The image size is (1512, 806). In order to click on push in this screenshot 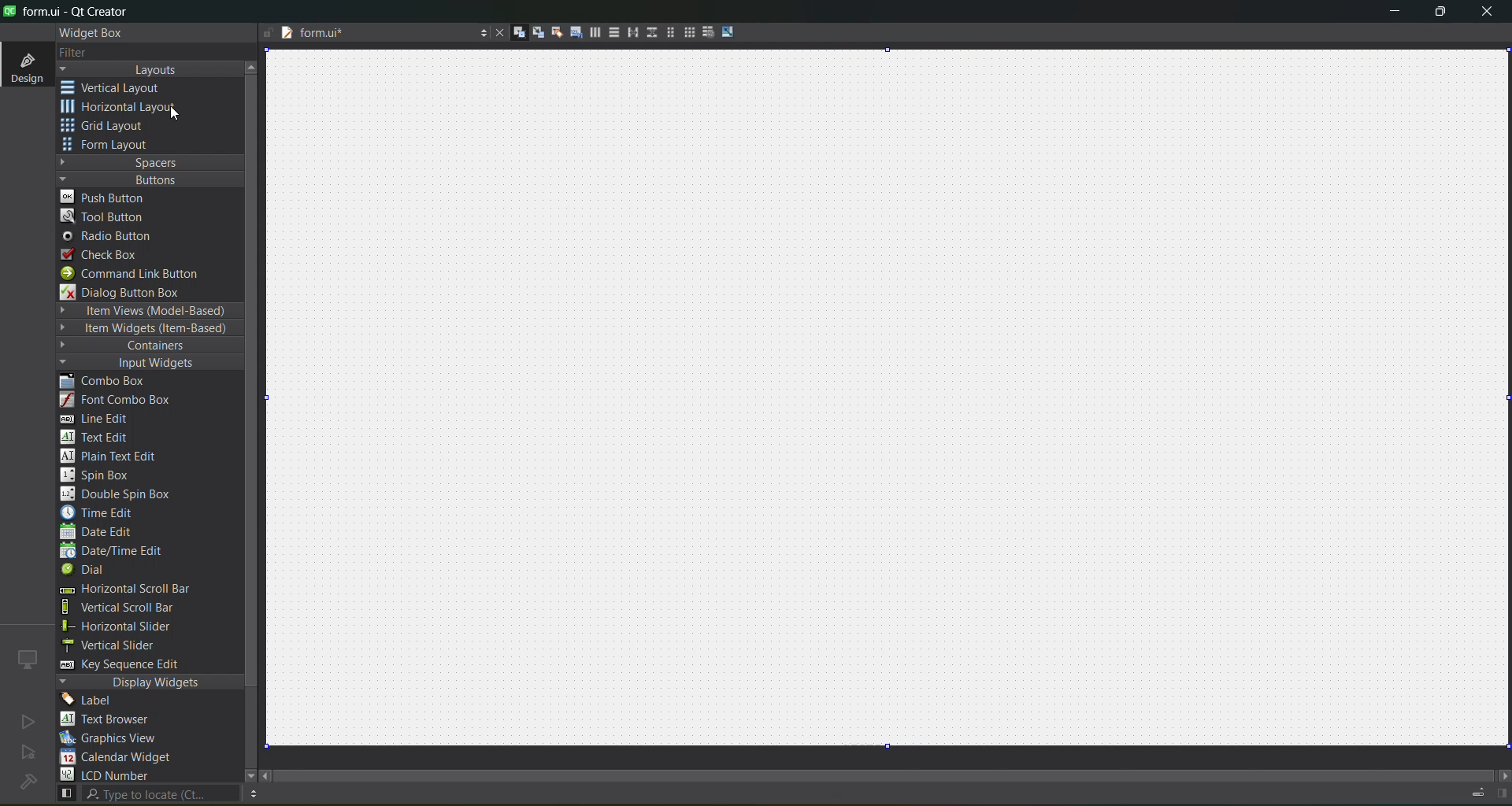, I will do `click(105, 196)`.